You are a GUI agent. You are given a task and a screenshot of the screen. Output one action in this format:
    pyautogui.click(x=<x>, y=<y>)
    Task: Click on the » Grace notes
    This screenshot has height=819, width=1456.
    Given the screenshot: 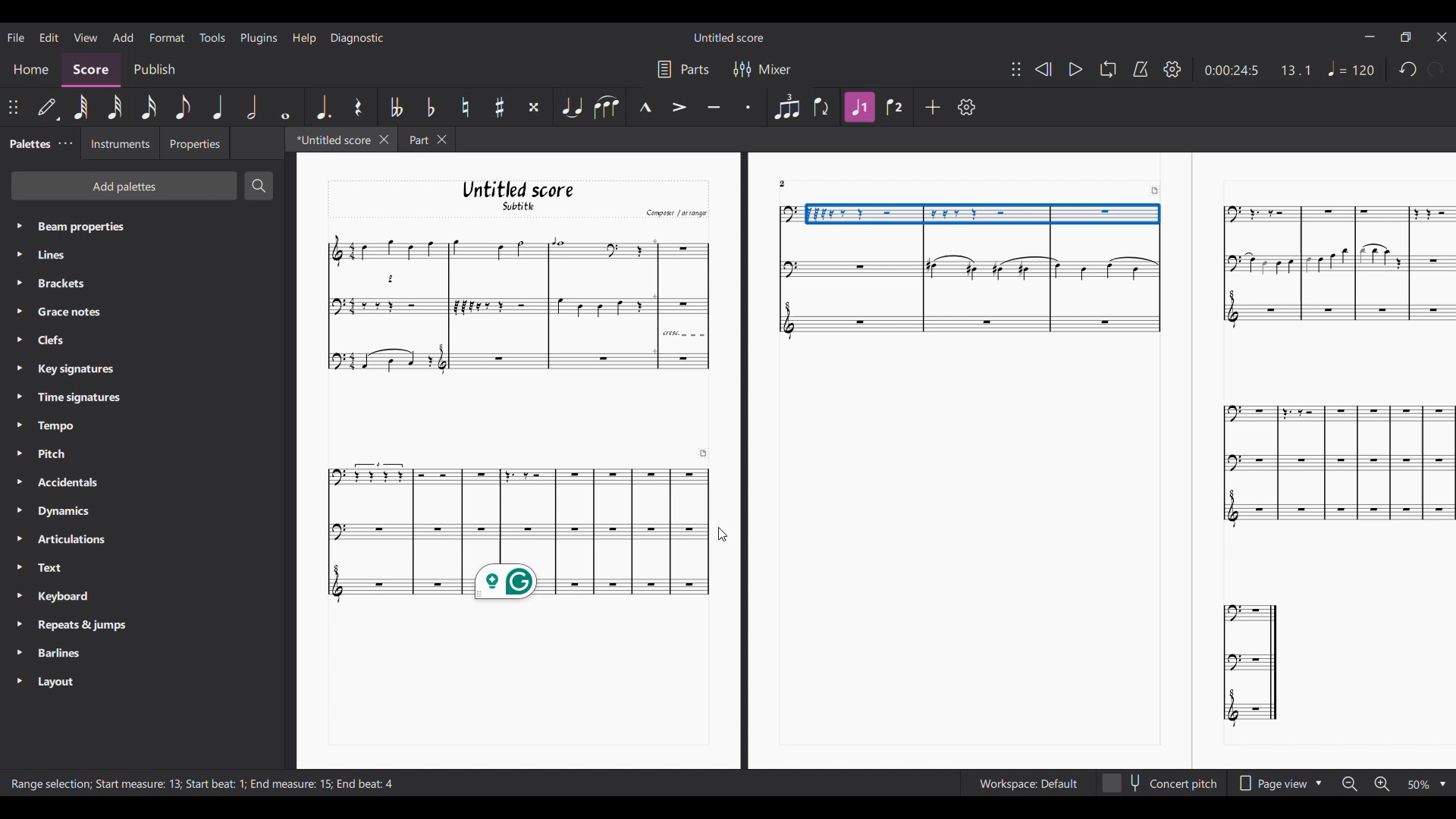 What is the action you would take?
    pyautogui.click(x=65, y=312)
    